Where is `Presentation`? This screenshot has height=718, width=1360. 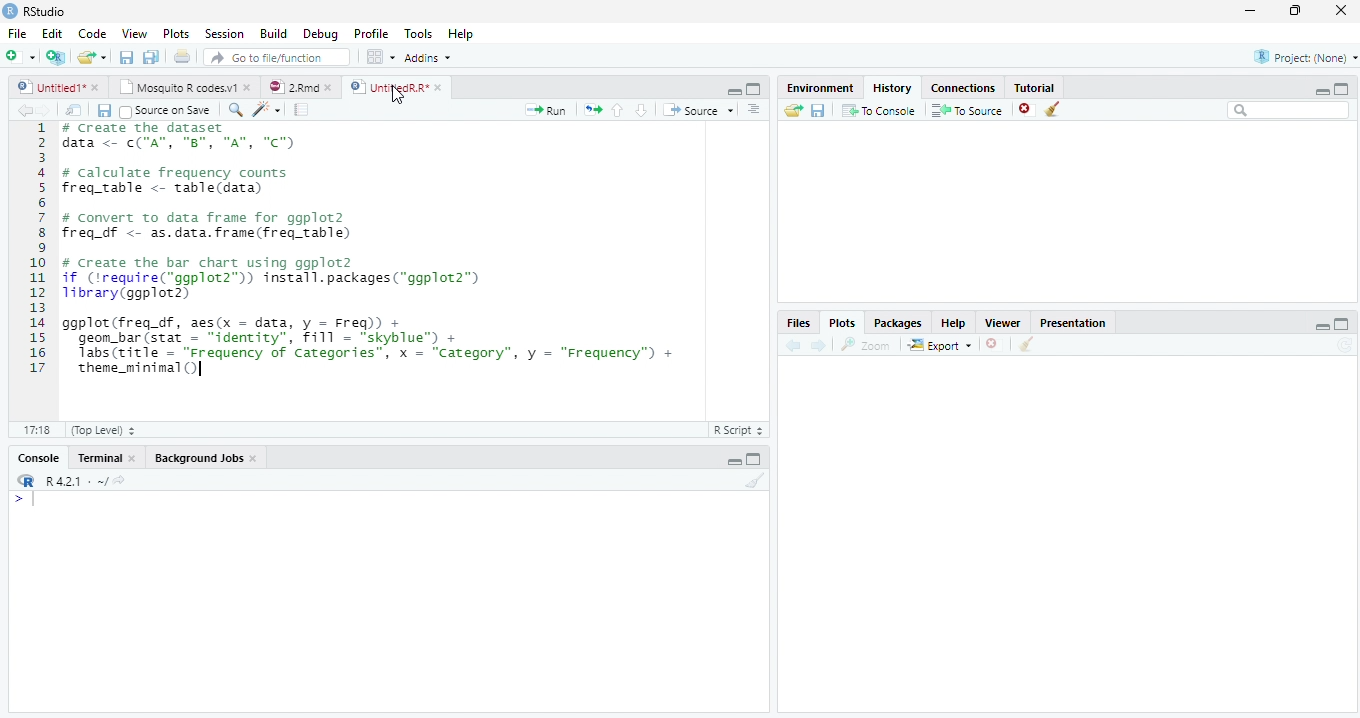
Presentation is located at coordinates (1073, 322).